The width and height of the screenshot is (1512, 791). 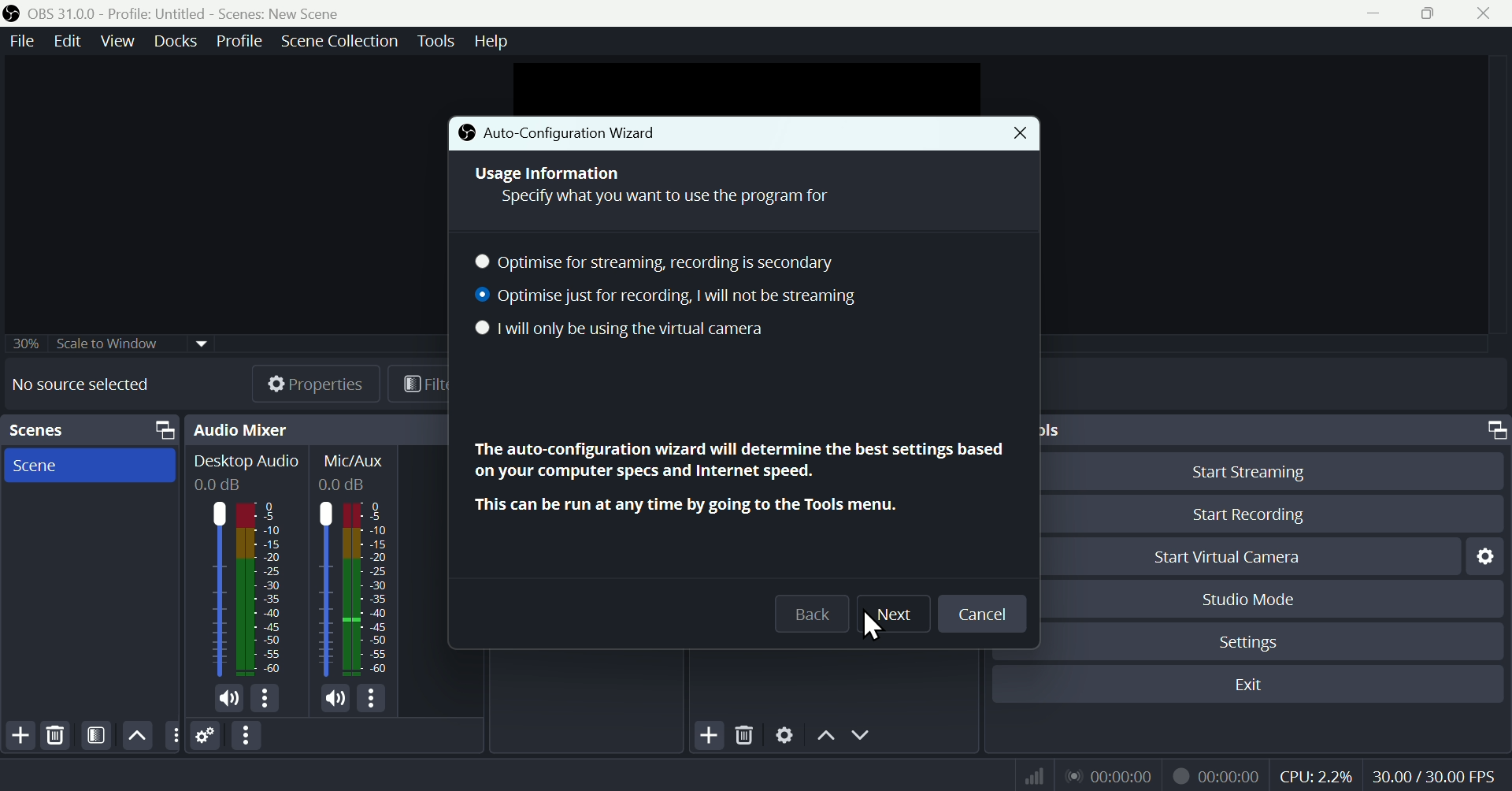 I want to click on Settings, so click(x=1270, y=640).